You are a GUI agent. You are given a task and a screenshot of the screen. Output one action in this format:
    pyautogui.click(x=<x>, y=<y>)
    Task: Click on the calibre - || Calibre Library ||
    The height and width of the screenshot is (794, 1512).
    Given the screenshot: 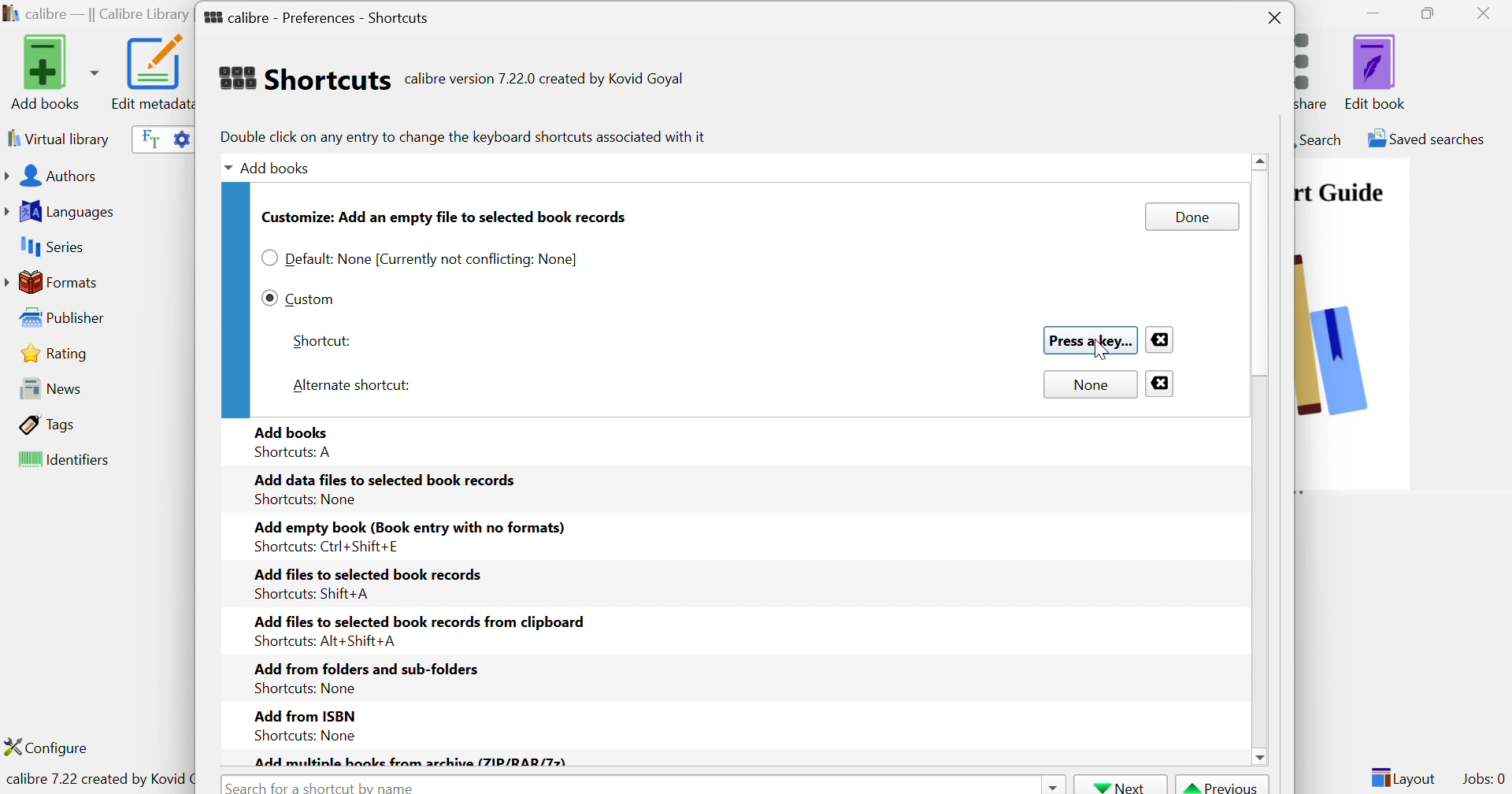 What is the action you would take?
    pyautogui.click(x=95, y=15)
    